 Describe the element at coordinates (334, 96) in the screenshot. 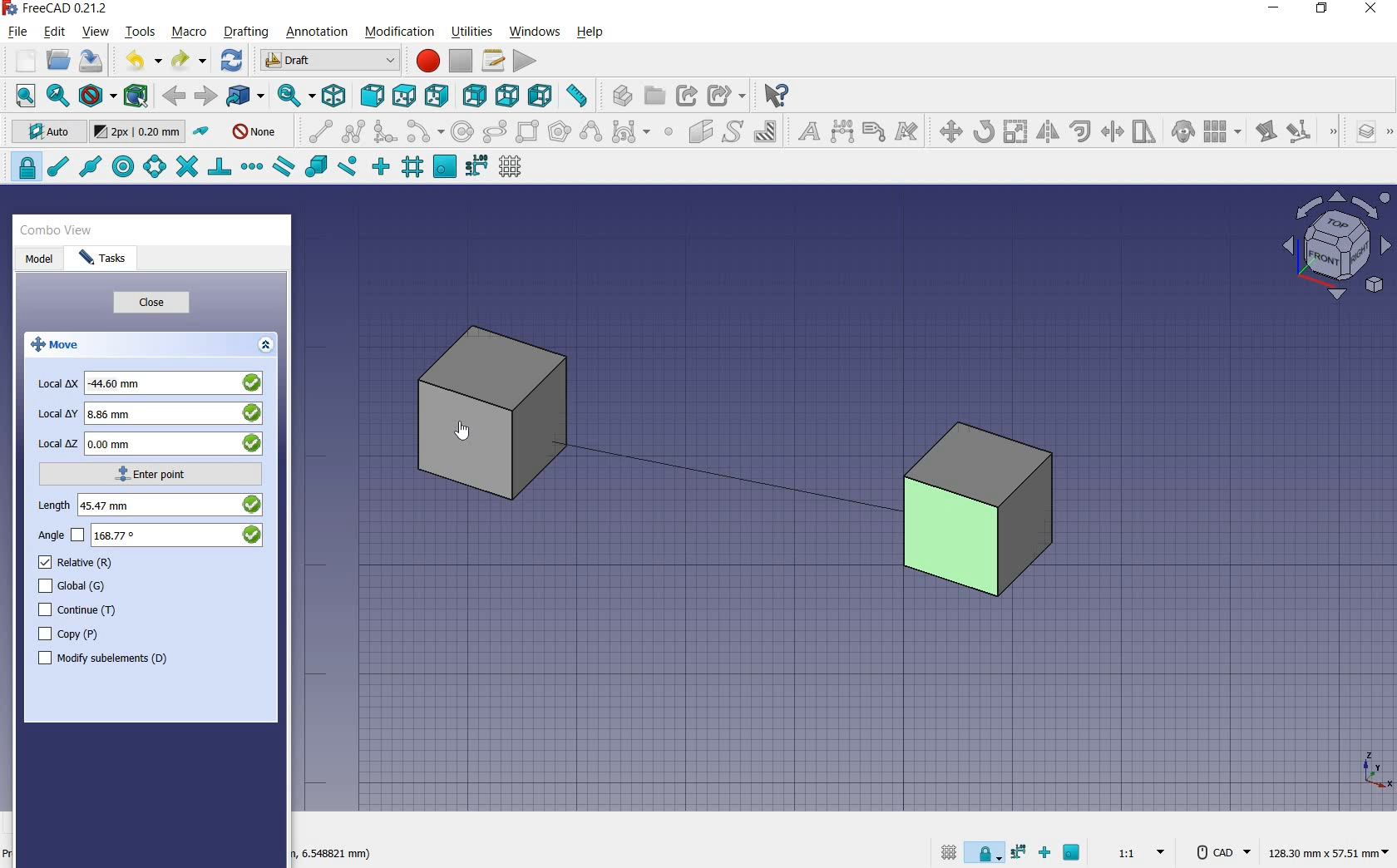

I see `isometric` at that location.